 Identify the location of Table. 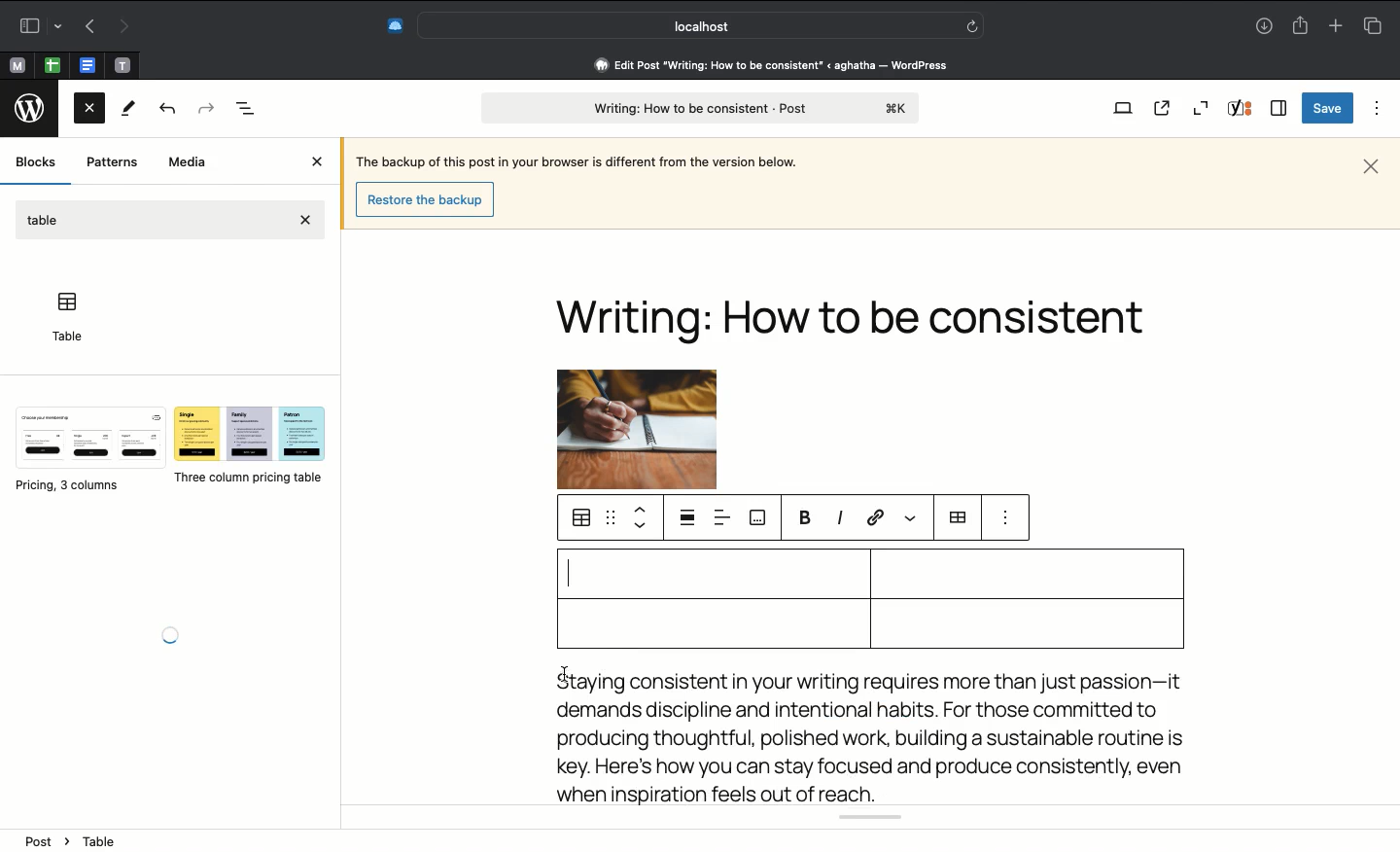
(46, 217).